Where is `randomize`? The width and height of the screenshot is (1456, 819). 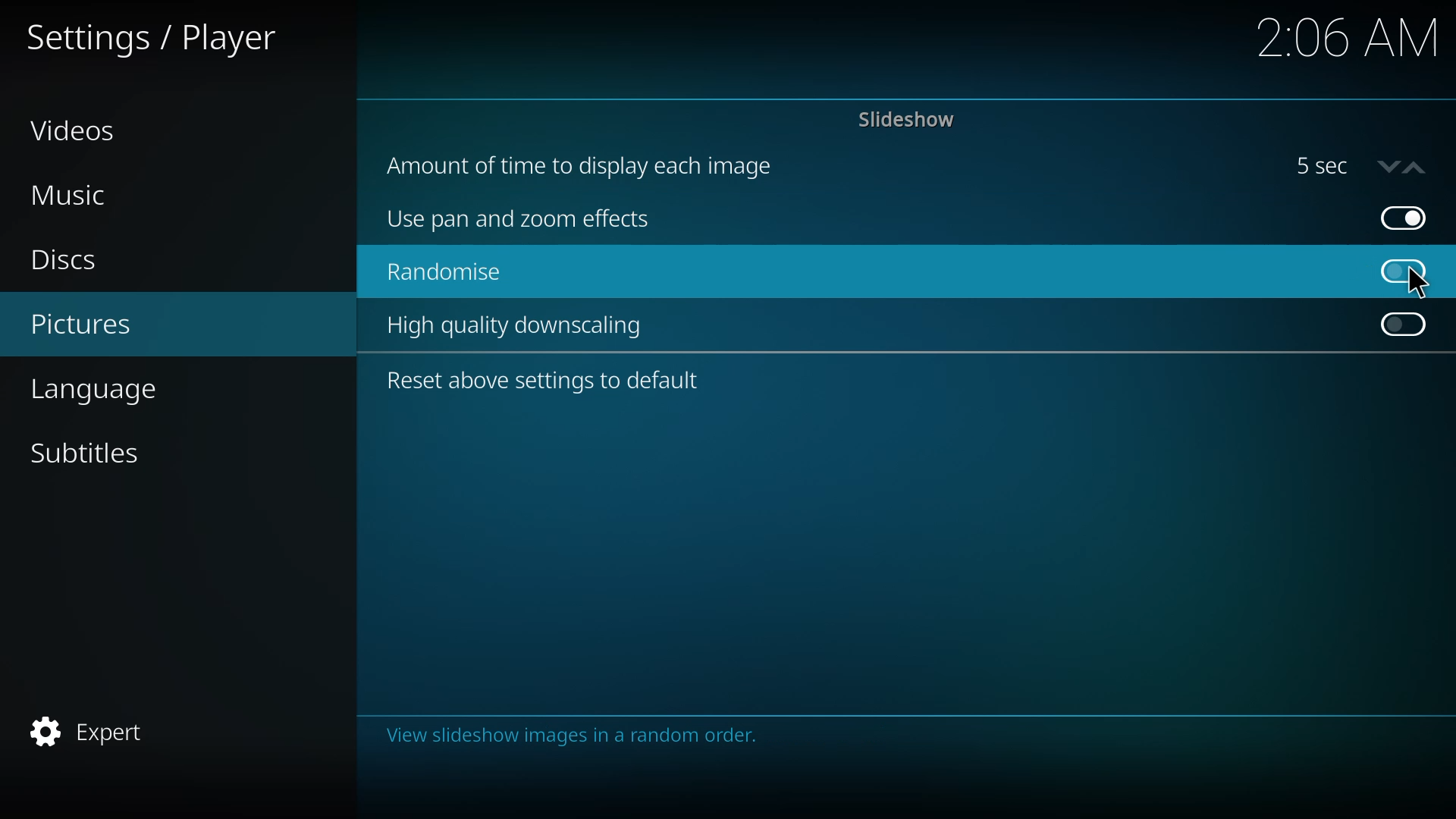
randomize is located at coordinates (446, 274).